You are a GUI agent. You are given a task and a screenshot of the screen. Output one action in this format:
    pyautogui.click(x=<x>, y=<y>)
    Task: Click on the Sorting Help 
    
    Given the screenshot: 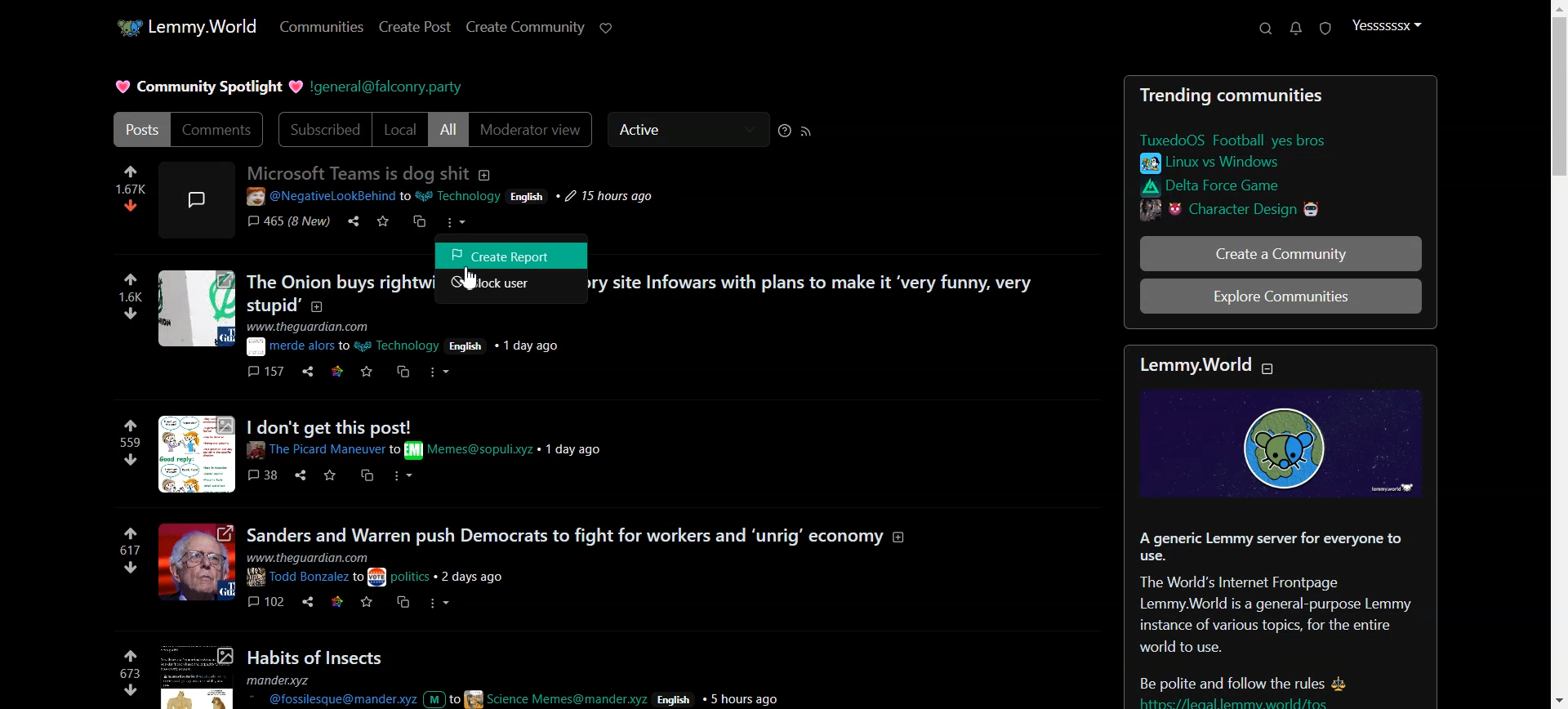 What is the action you would take?
    pyautogui.click(x=784, y=130)
    